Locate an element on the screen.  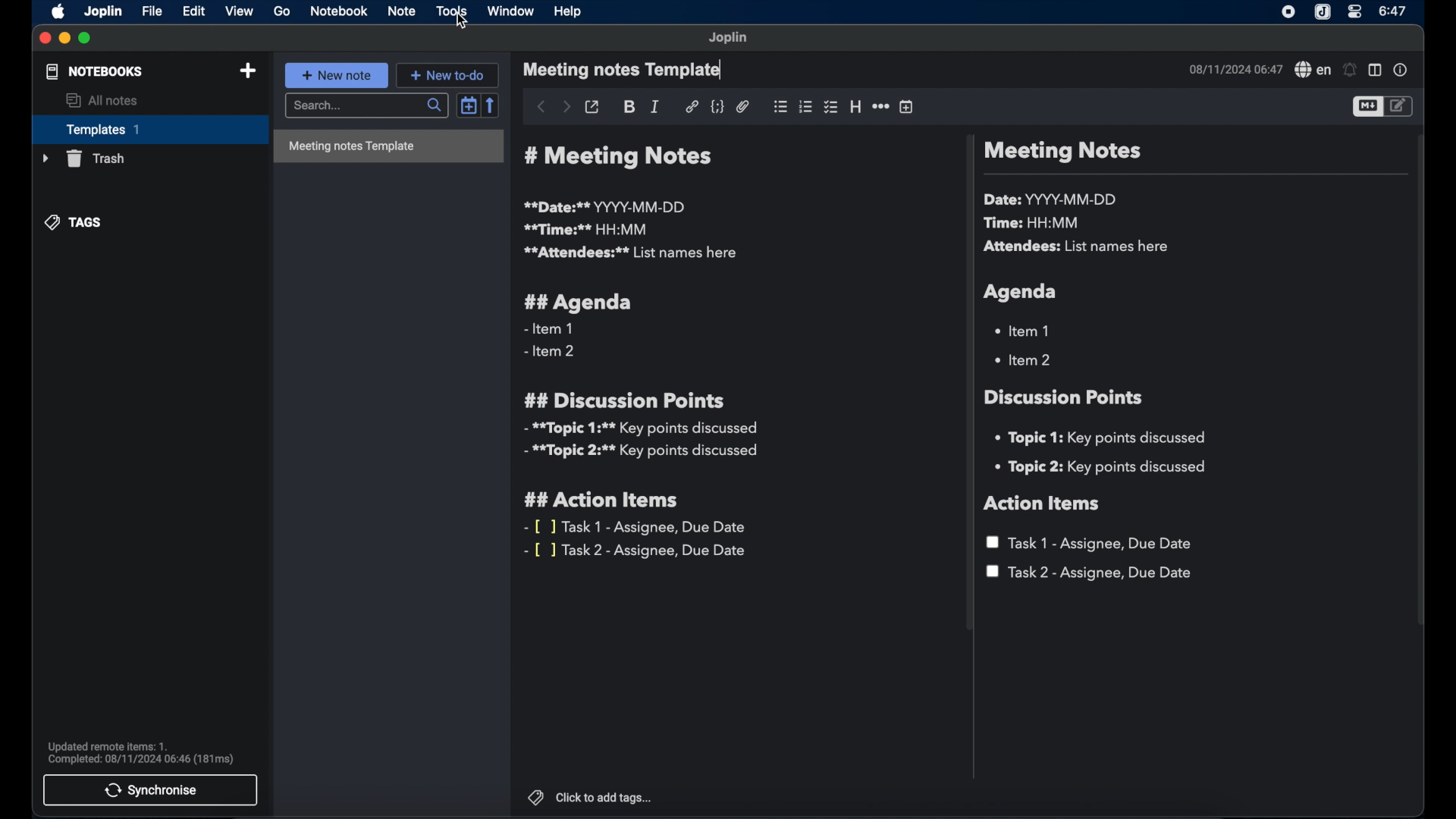
file is located at coordinates (152, 11).